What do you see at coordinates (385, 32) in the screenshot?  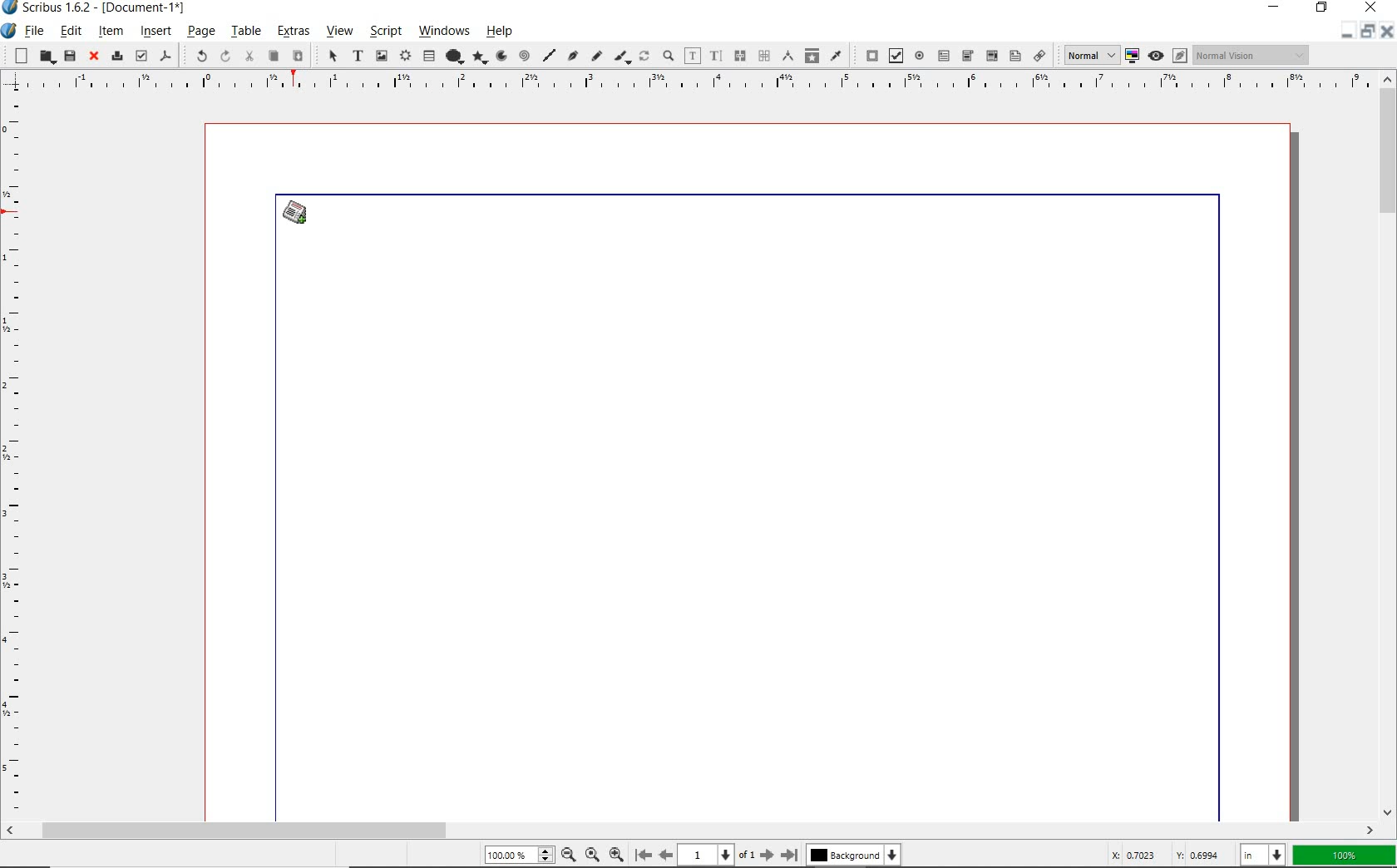 I see `script` at bounding box center [385, 32].